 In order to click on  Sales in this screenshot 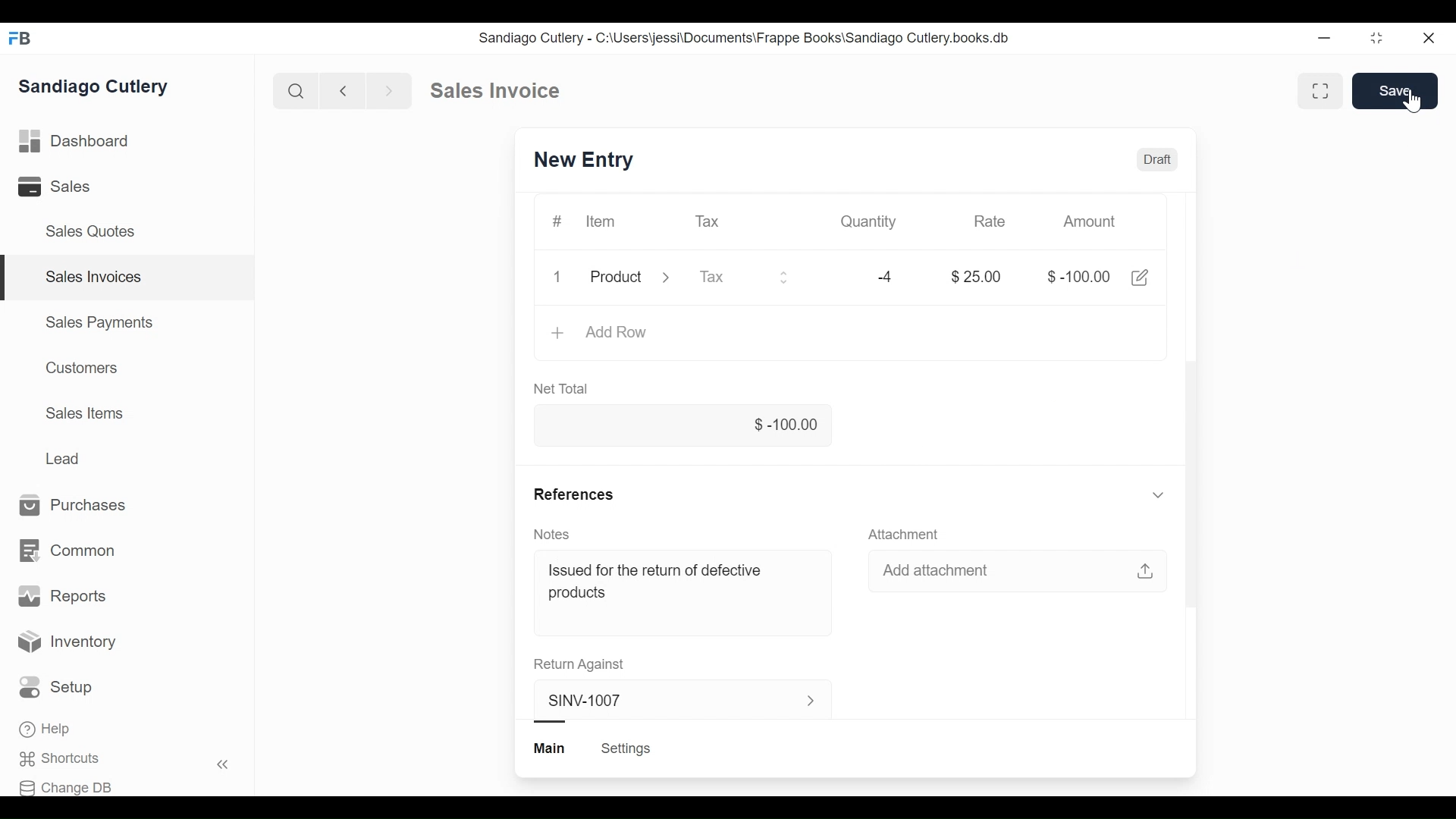, I will do `click(52, 186)`.